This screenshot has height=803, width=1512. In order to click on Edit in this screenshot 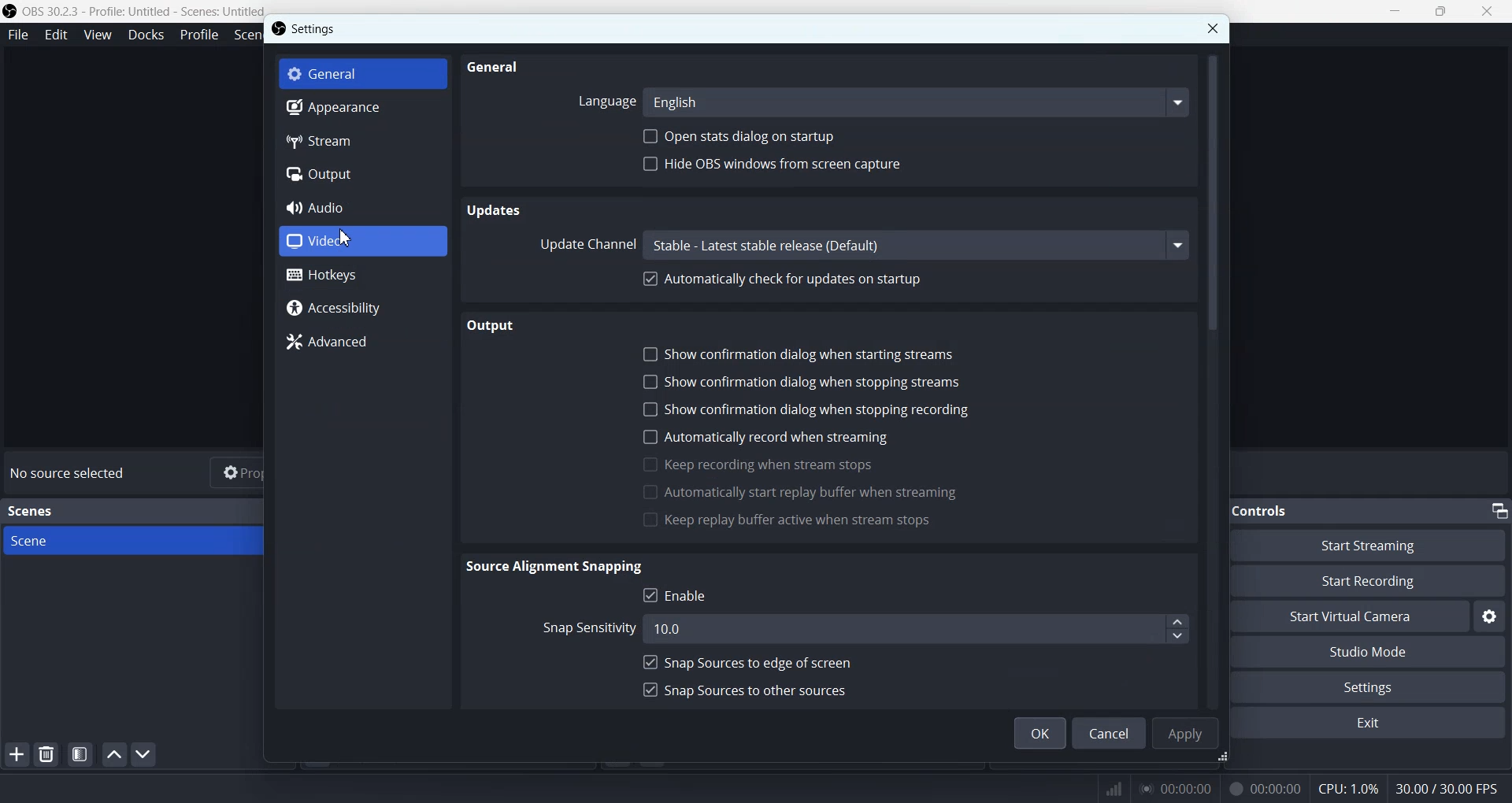, I will do `click(56, 35)`.